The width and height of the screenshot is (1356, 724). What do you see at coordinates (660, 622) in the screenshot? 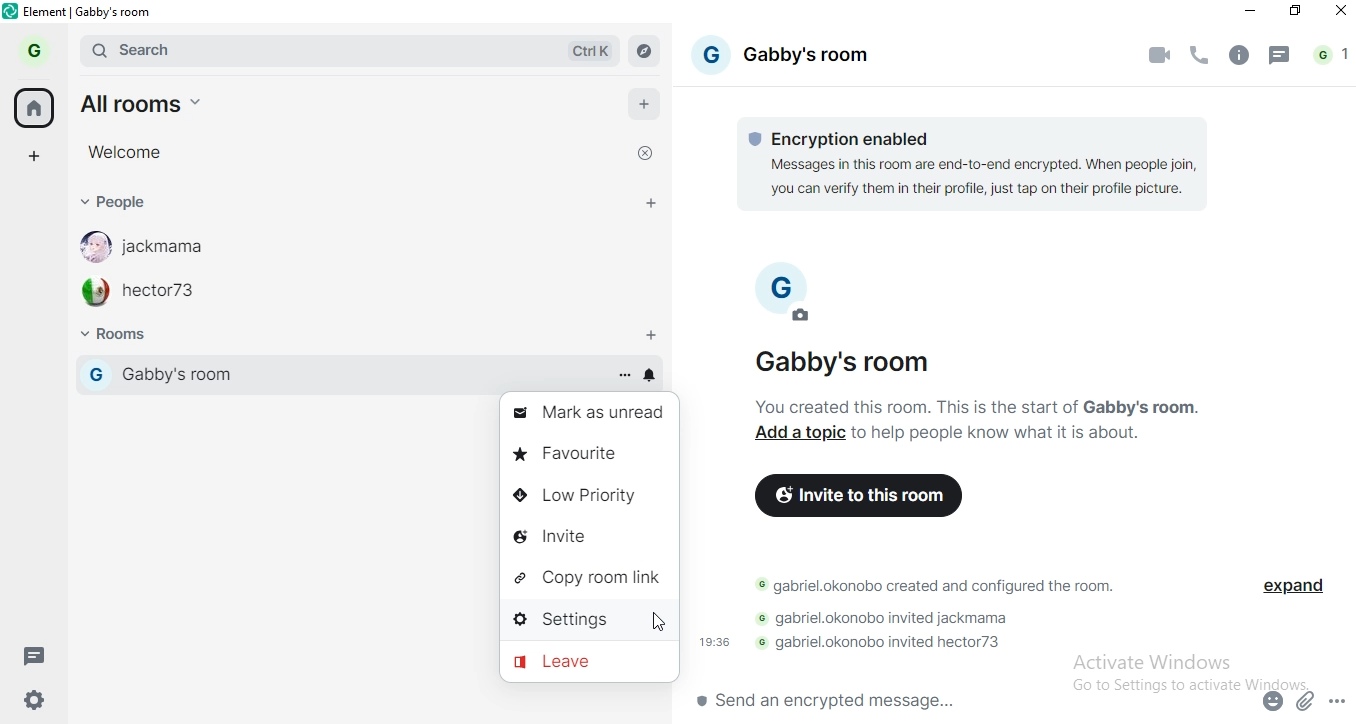
I see `cursor` at bounding box center [660, 622].